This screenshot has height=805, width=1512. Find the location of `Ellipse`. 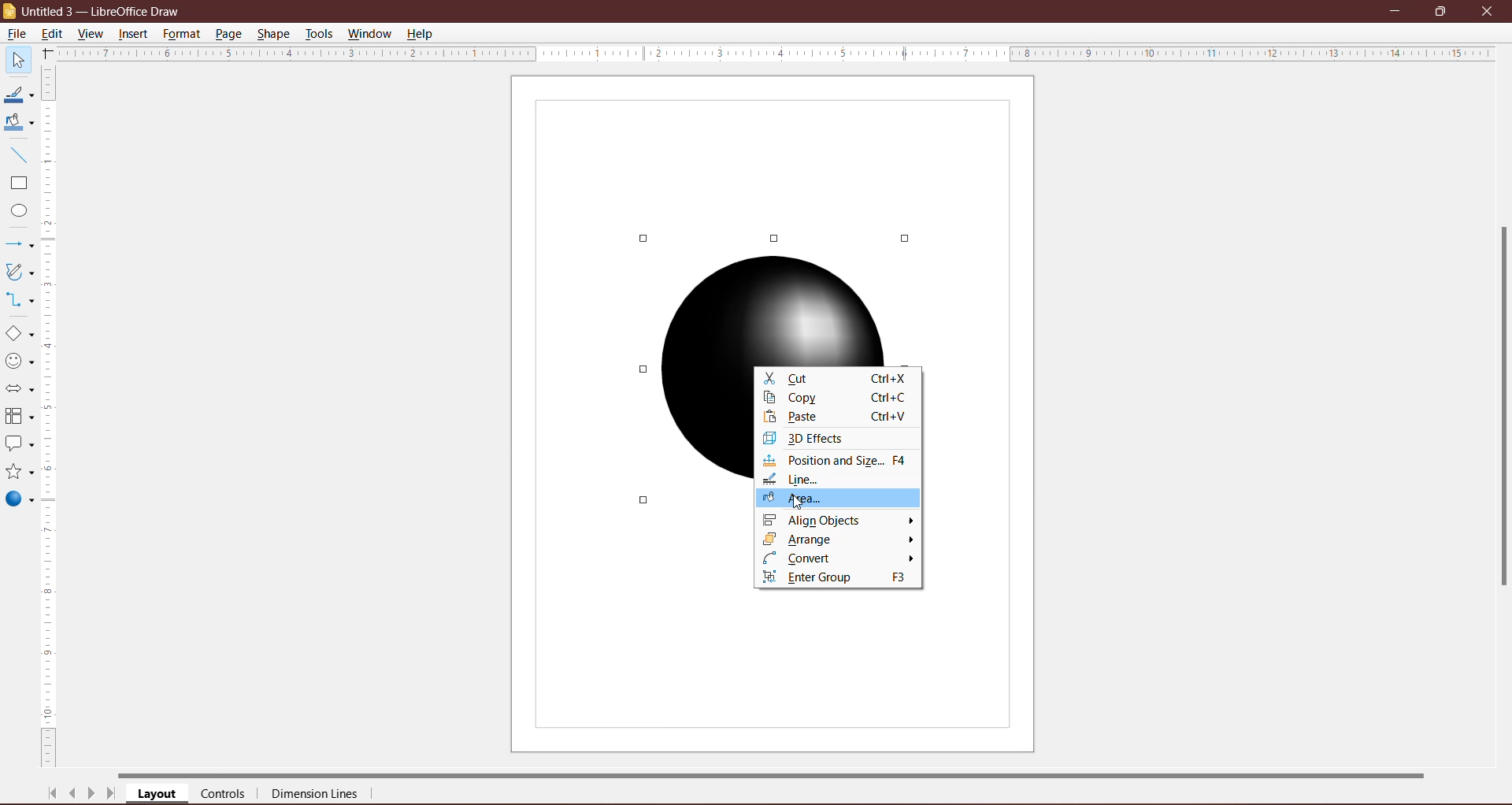

Ellipse is located at coordinates (15, 213).